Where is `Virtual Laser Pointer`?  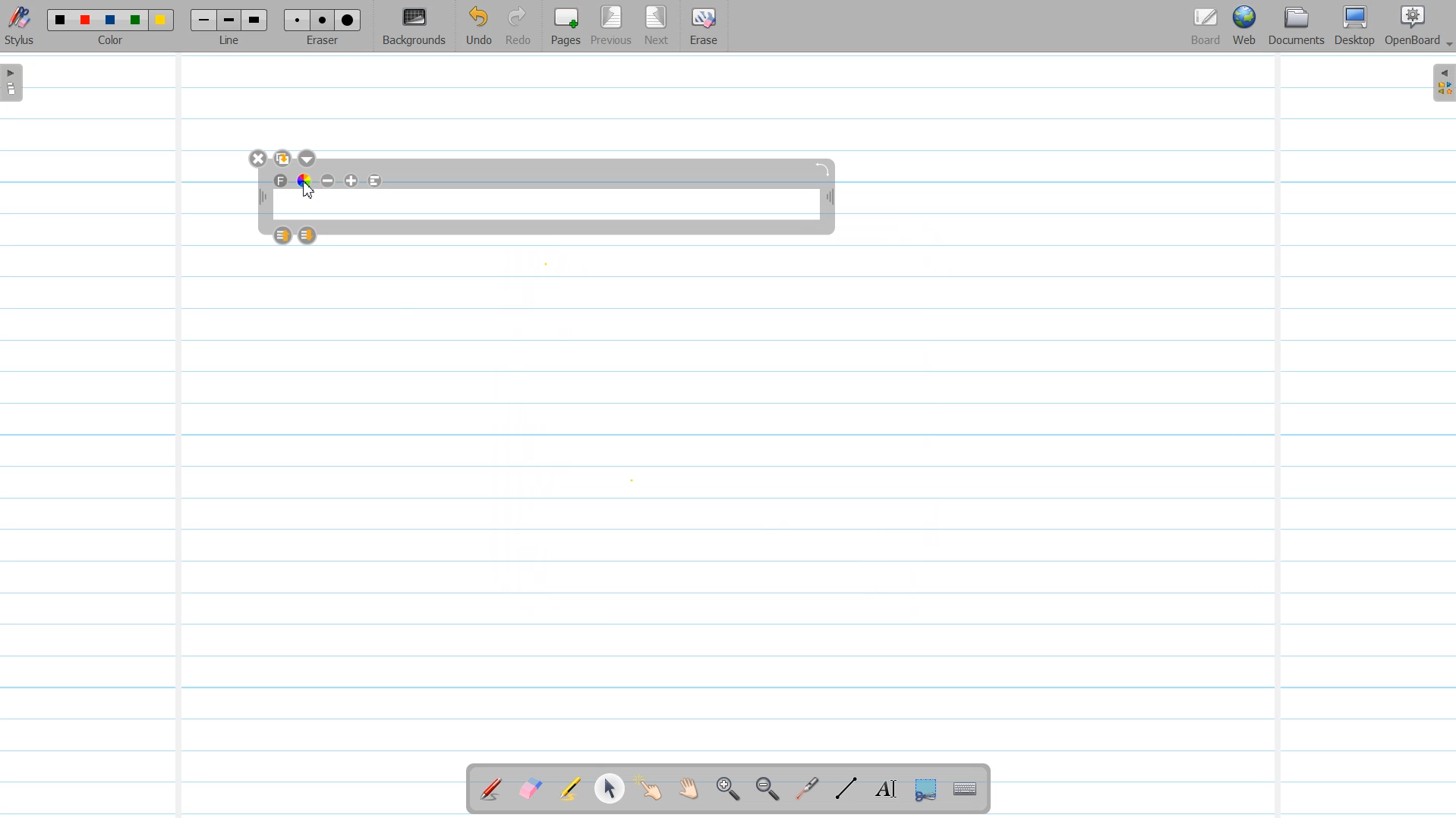 Virtual Laser Pointer is located at coordinates (803, 790).